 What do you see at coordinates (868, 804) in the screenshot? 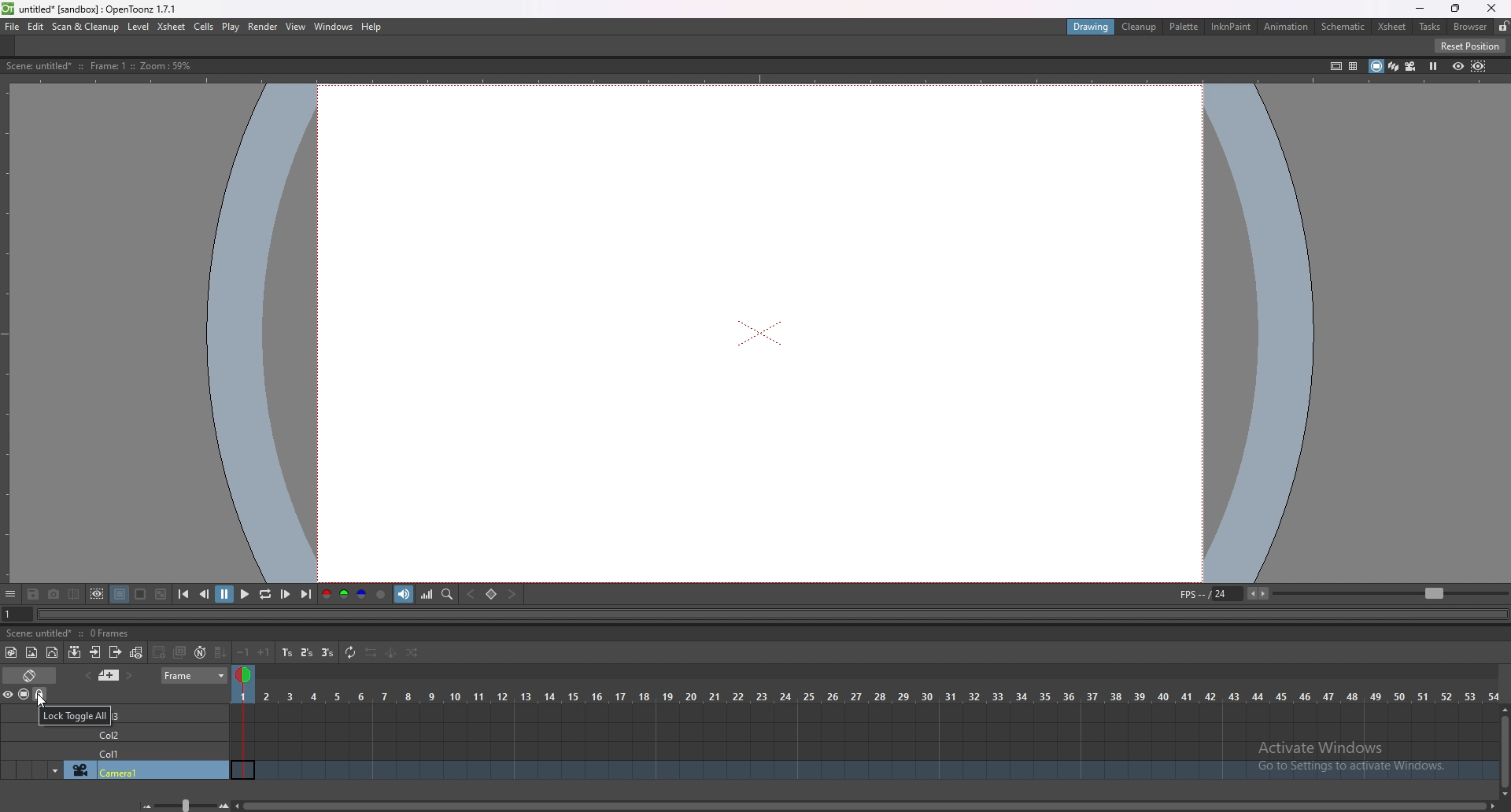
I see `scroll bar` at bounding box center [868, 804].